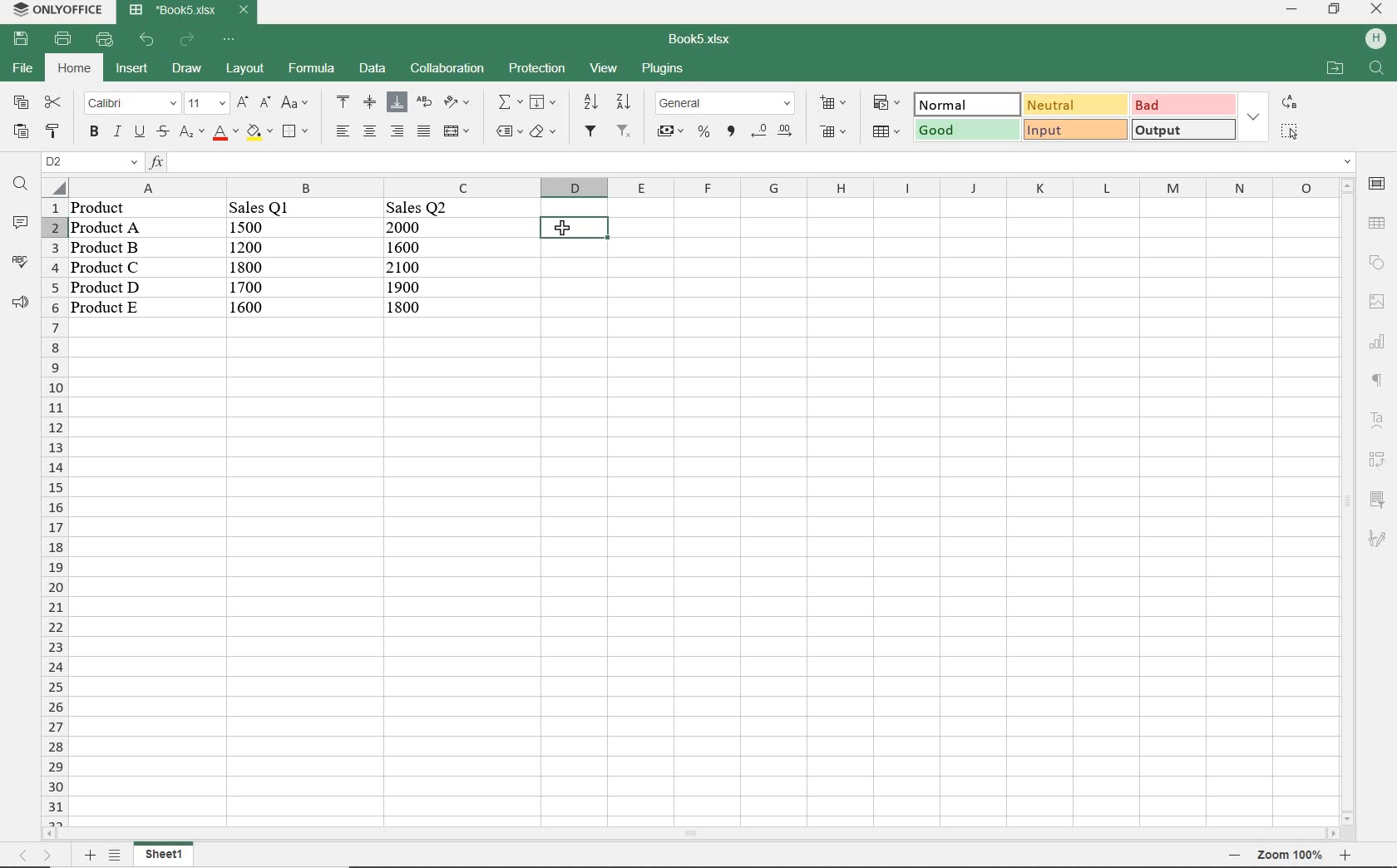  What do you see at coordinates (705, 133) in the screenshot?
I see `percent style` at bounding box center [705, 133].